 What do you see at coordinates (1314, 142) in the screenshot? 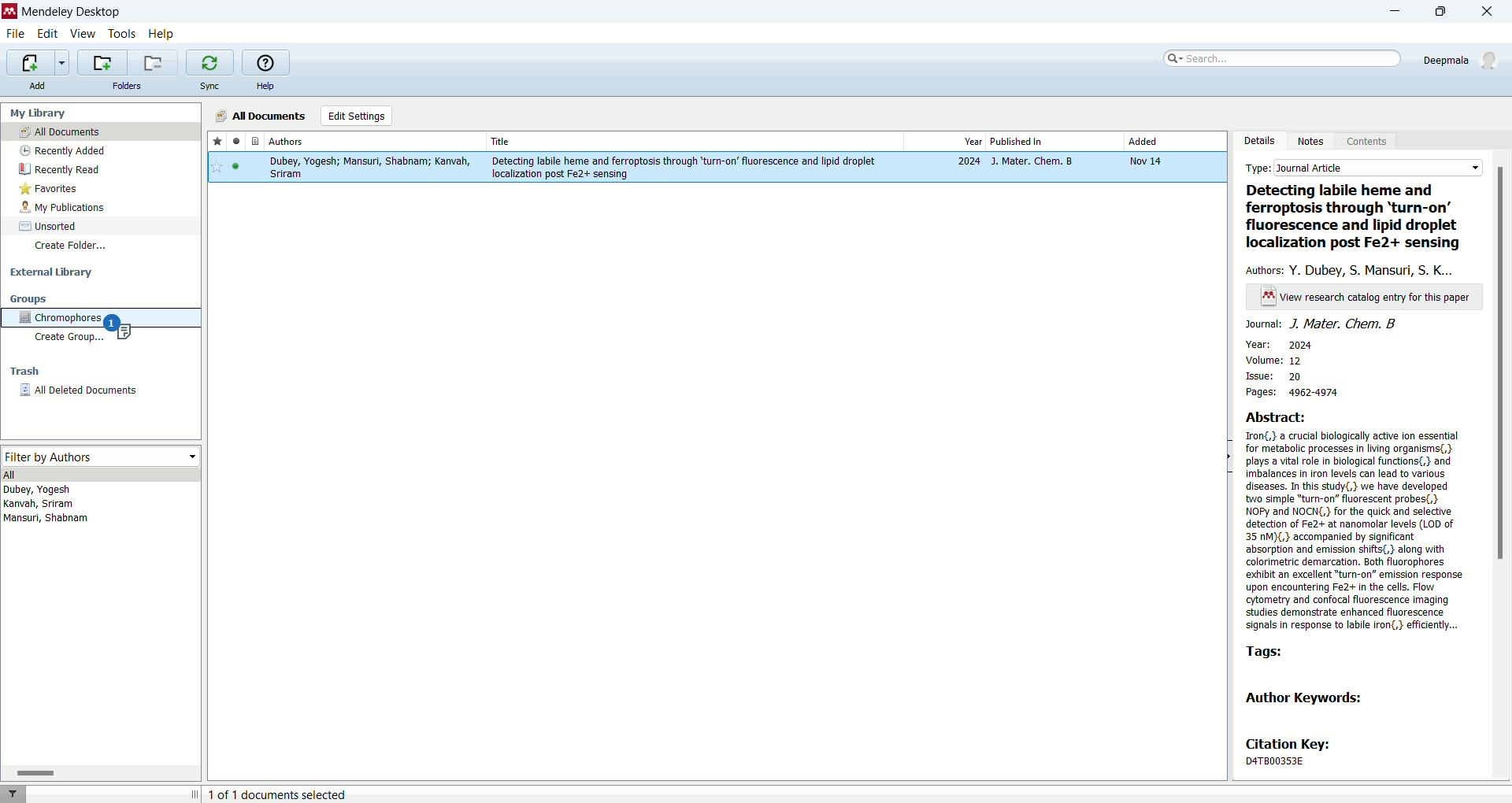
I see `notes` at bounding box center [1314, 142].